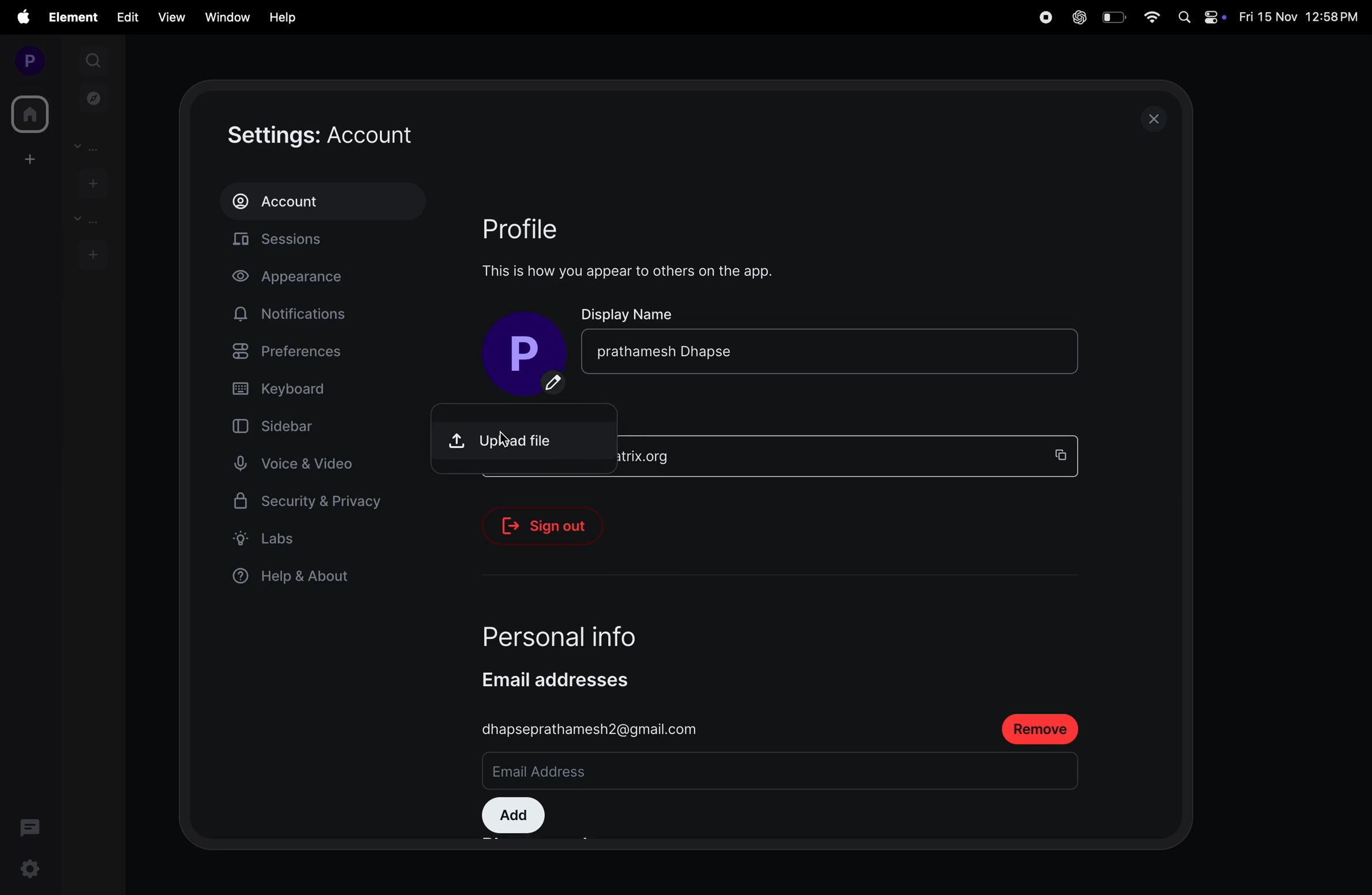 Image resolution: width=1372 pixels, height=895 pixels. Describe the element at coordinates (587, 631) in the screenshot. I see `personal info` at that location.